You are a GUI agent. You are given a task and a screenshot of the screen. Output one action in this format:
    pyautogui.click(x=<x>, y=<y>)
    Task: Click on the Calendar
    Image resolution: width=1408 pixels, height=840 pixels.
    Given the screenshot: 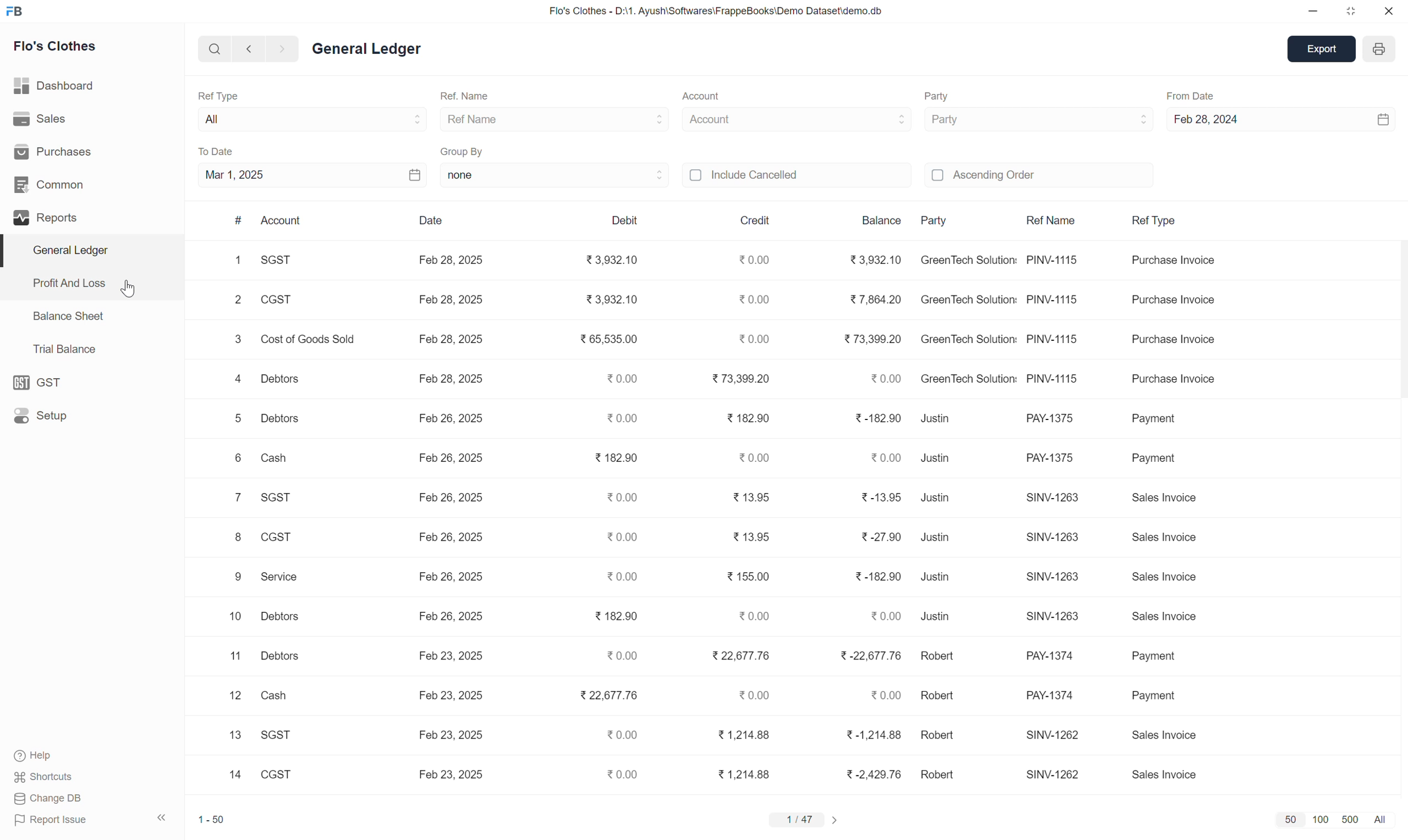 What is the action you would take?
    pyautogui.click(x=1373, y=118)
    